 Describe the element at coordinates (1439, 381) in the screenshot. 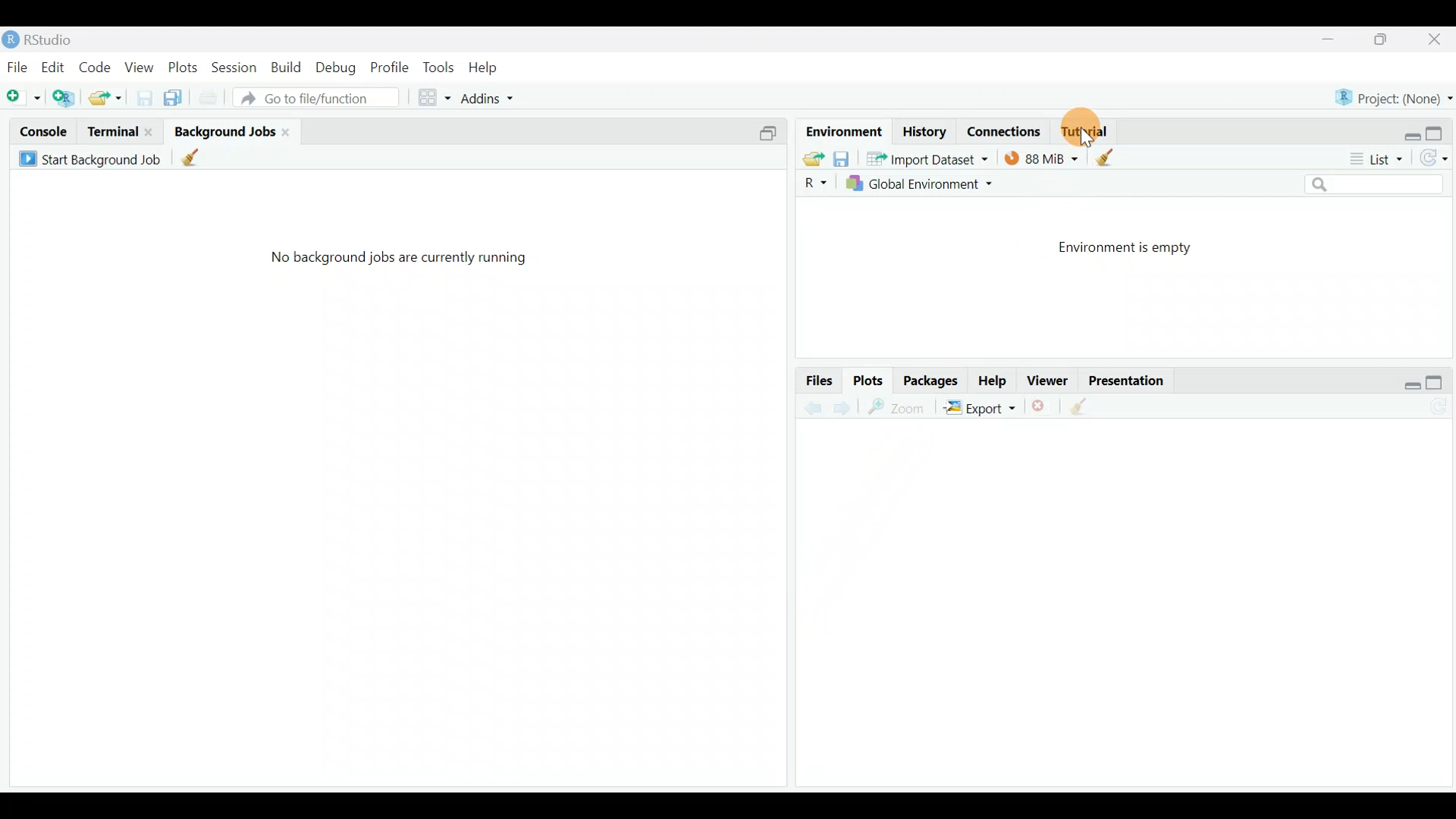

I see `maximize` at that location.